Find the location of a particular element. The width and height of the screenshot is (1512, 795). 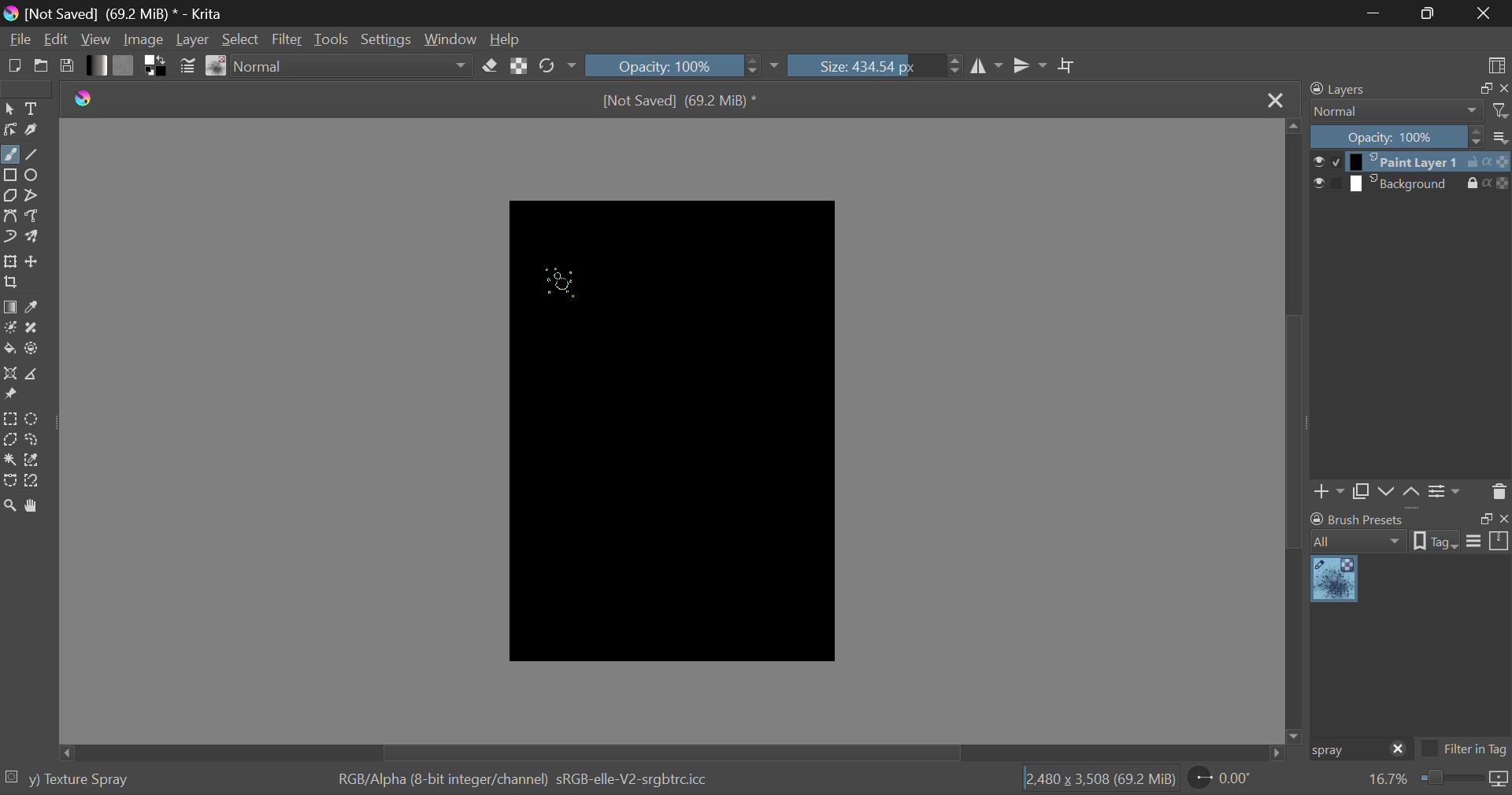

Line is located at coordinates (32, 156).